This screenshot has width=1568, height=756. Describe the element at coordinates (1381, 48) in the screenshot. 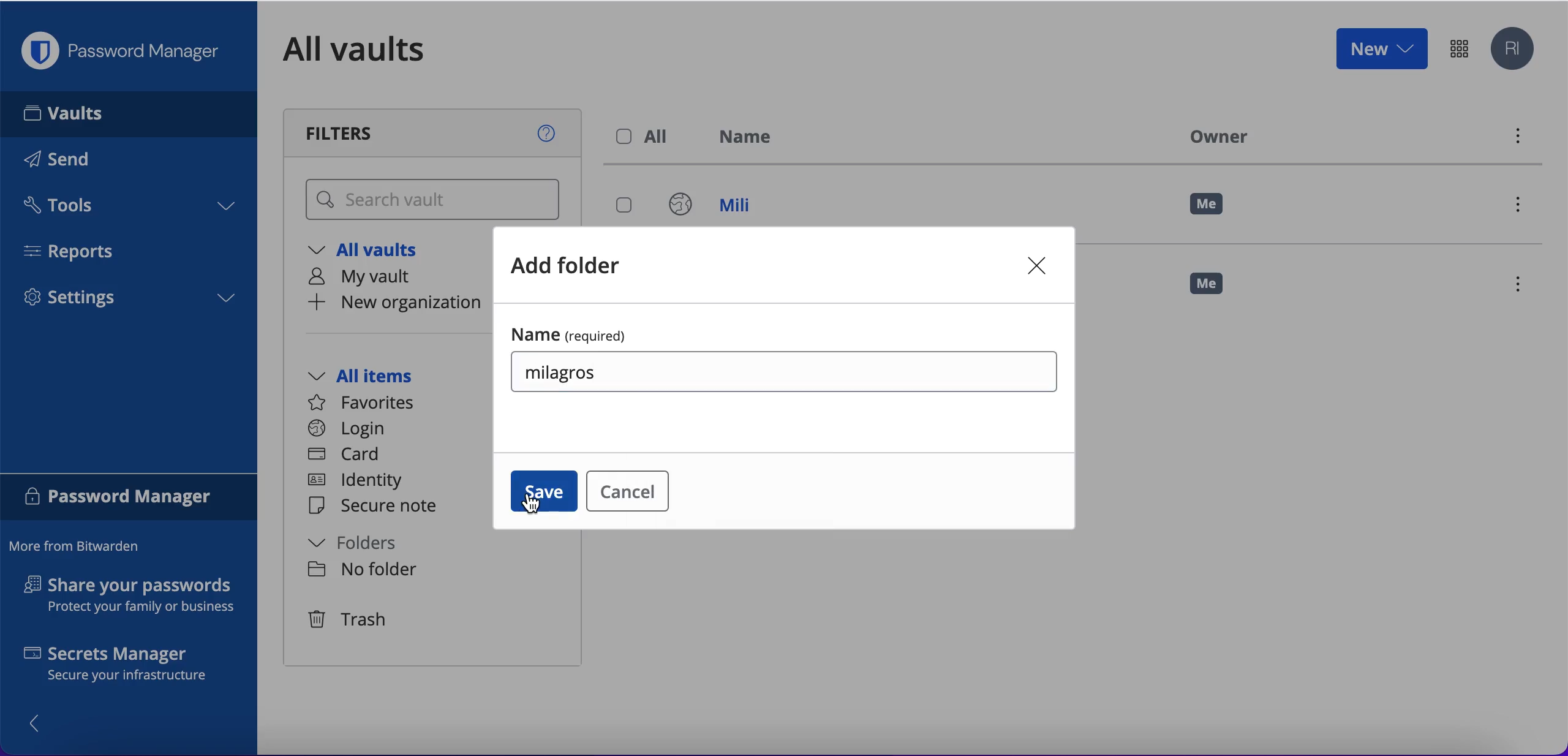

I see `new` at that location.